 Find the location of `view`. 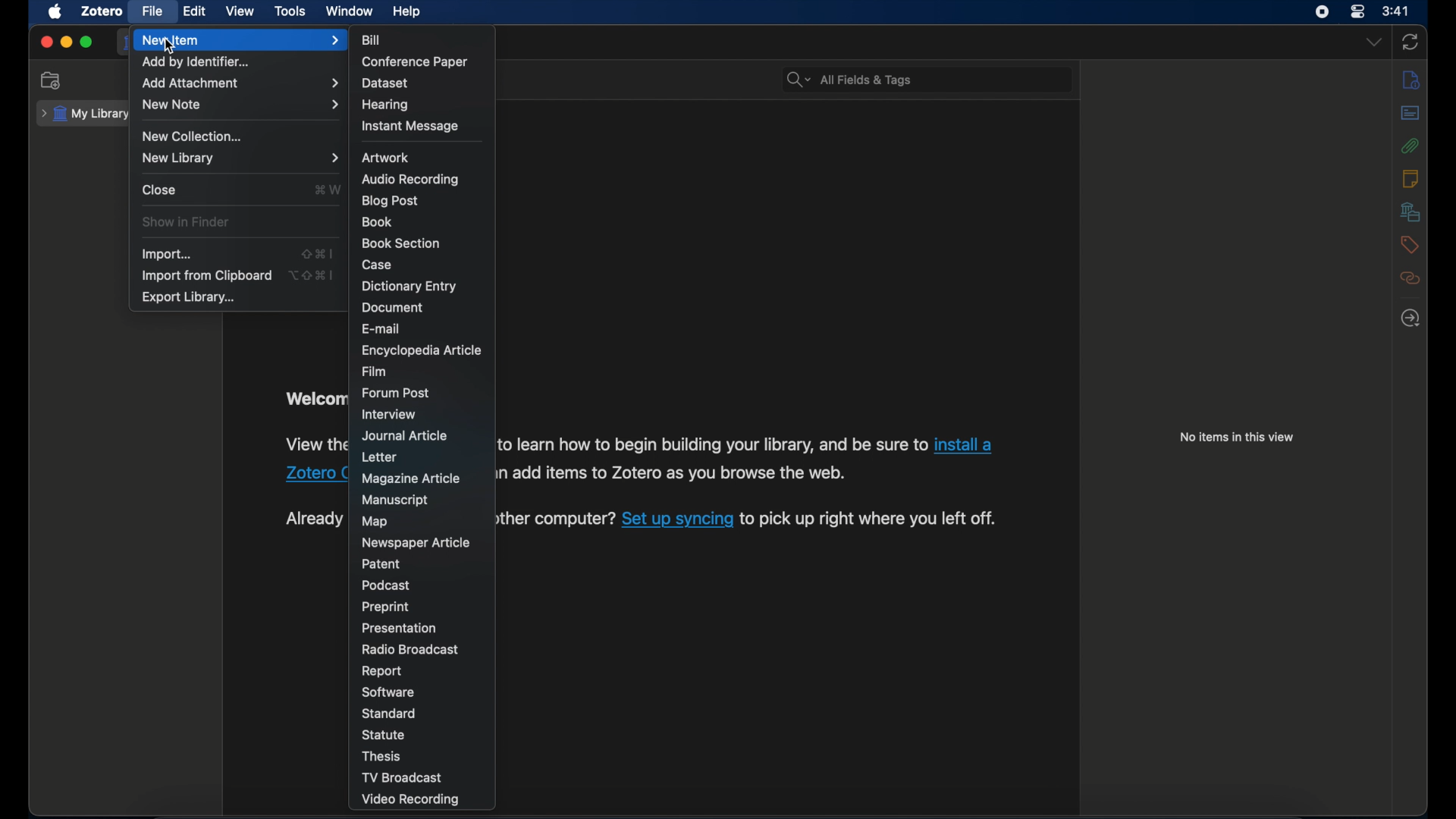

view is located at coordinates (240, 11).